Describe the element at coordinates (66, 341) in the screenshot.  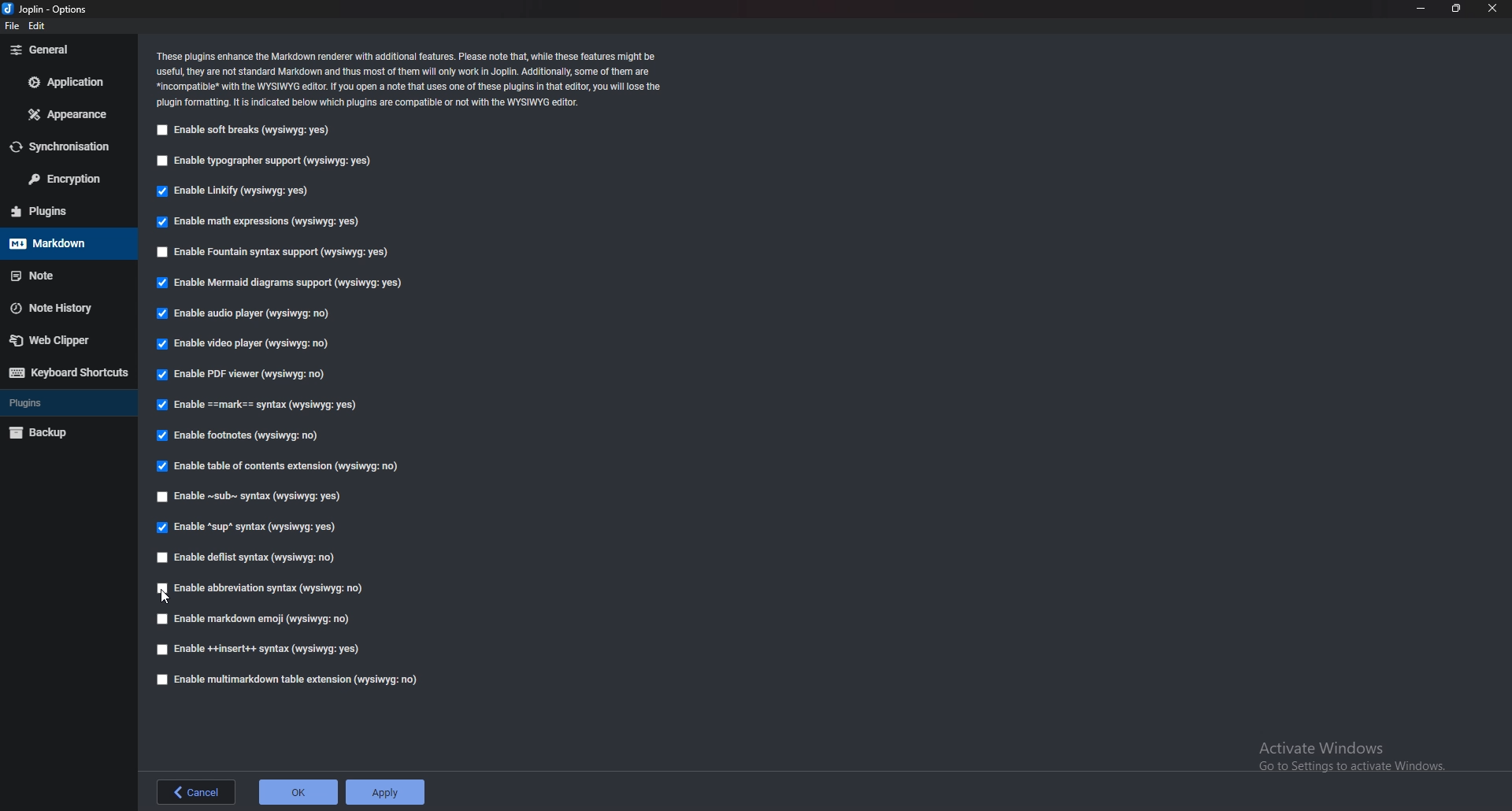
I see `web clipper` at that location.